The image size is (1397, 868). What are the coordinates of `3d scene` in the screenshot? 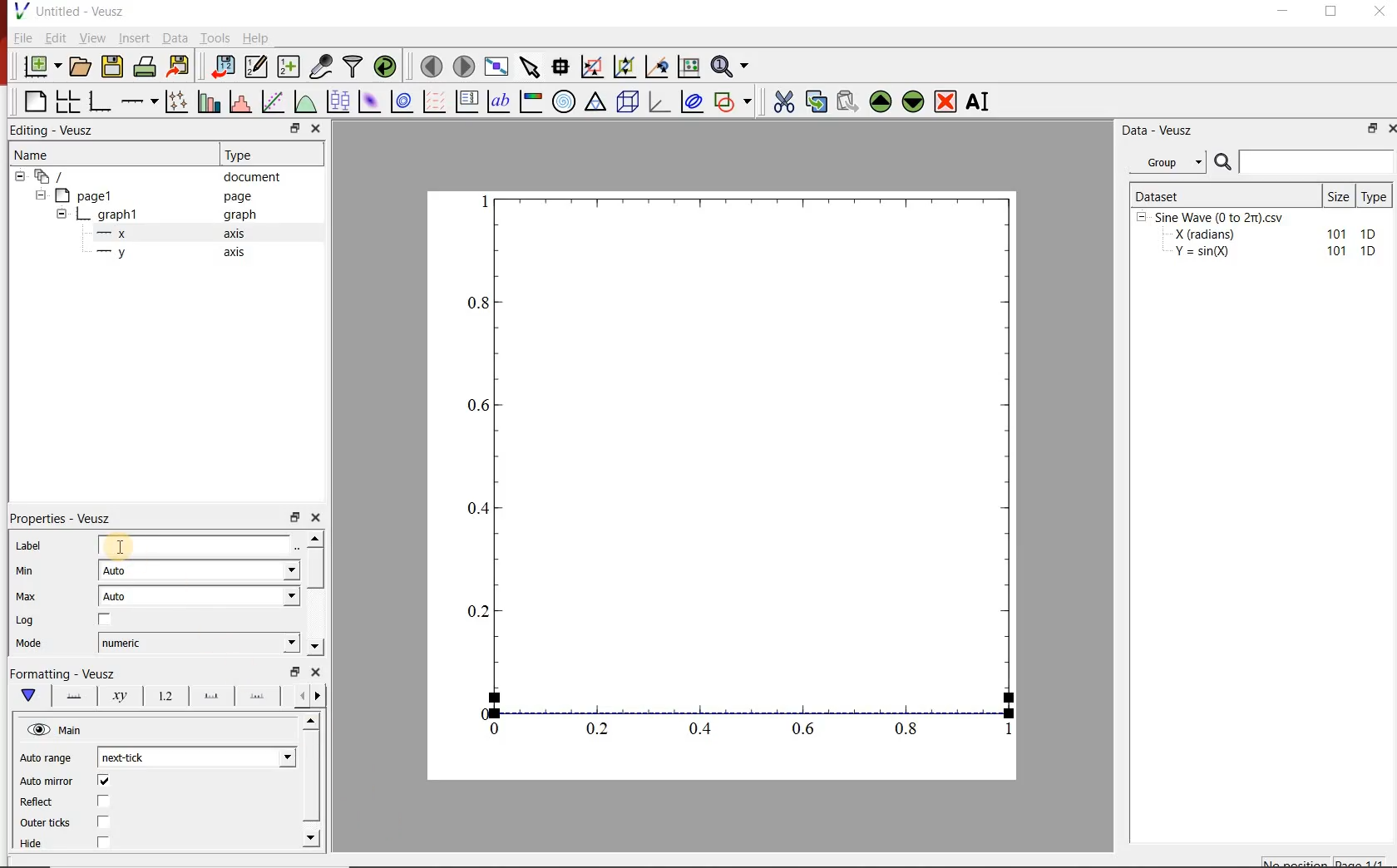 It's located at (628, 101).